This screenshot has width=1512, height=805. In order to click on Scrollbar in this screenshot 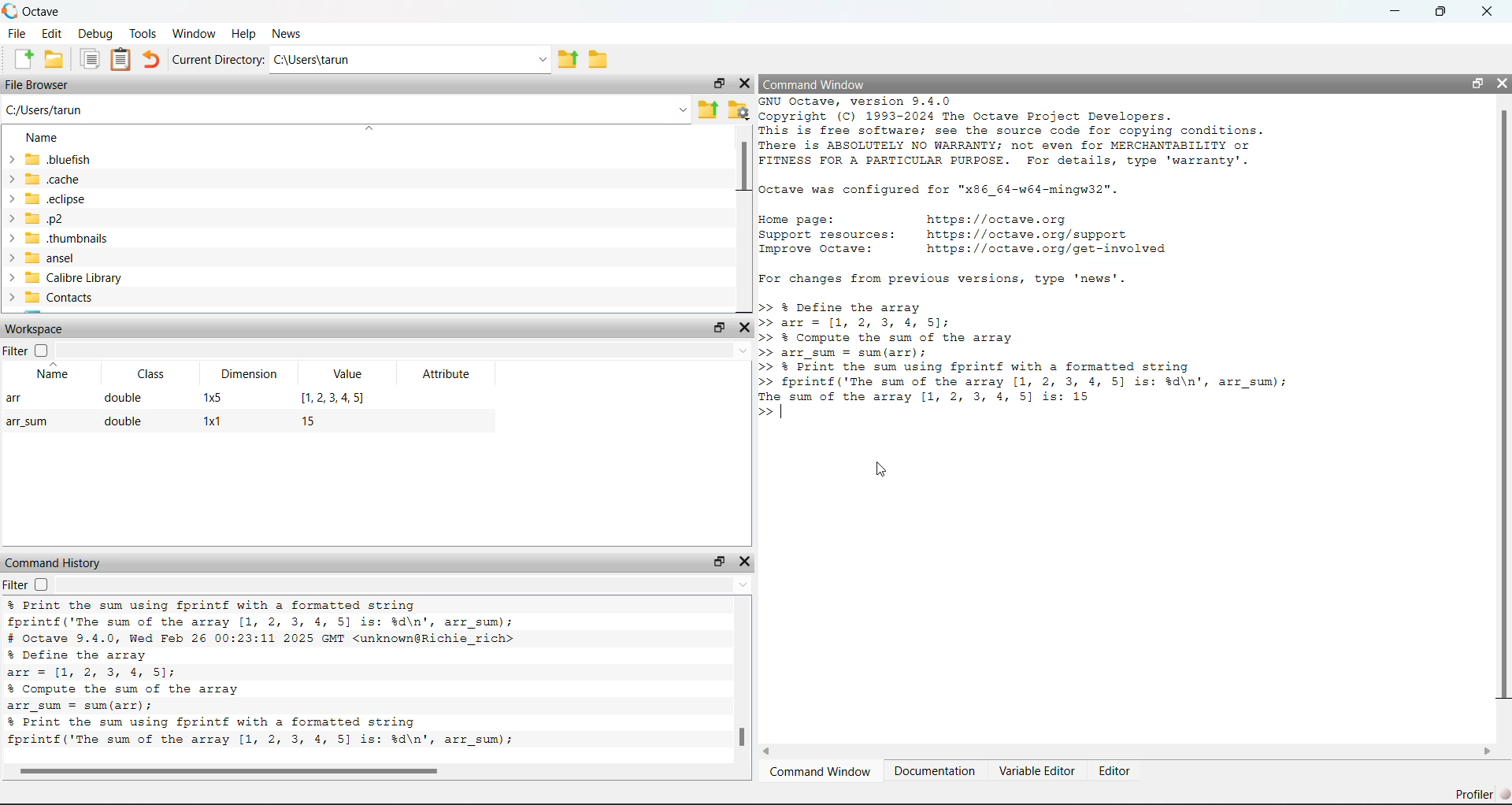, I will do `click(742, 167)`.